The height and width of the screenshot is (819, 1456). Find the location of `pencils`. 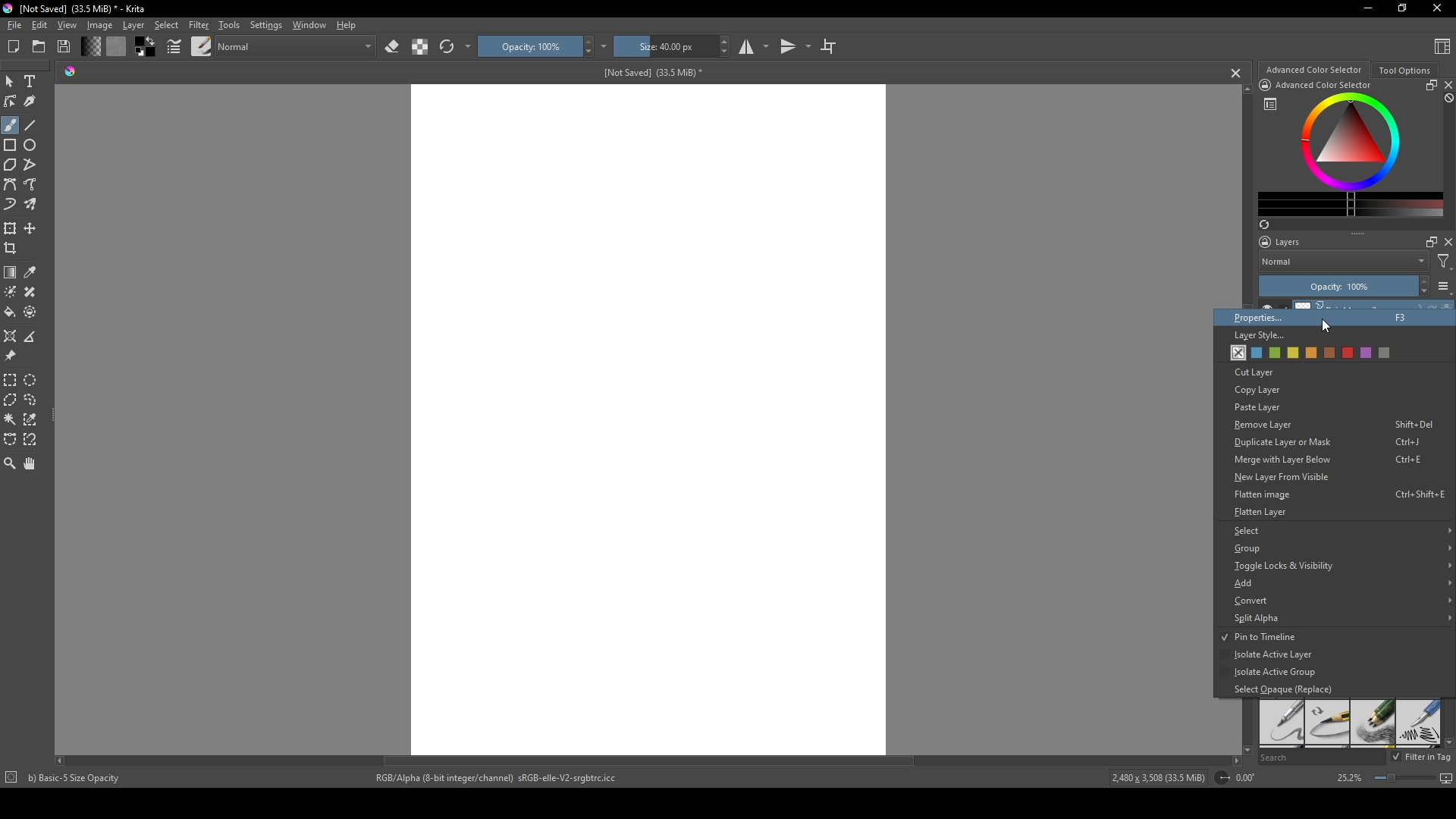

pencils is located at coordinates (1372, 723).